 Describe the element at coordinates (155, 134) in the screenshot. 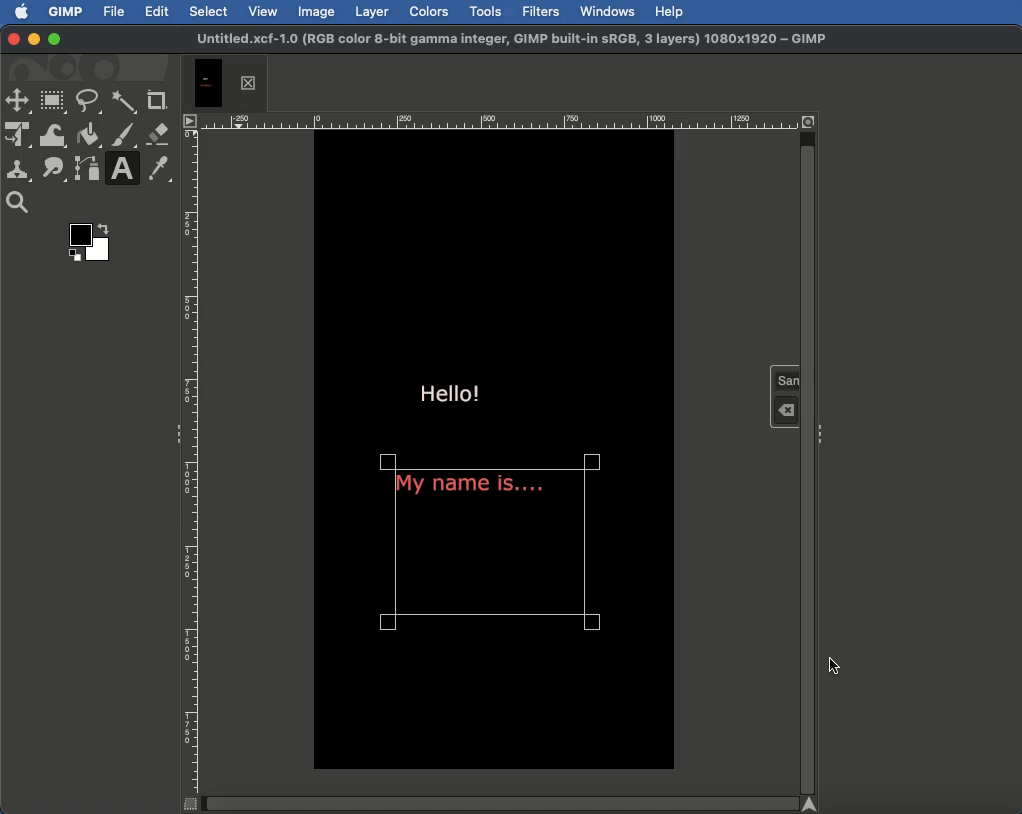

I see `Erase` at that location.